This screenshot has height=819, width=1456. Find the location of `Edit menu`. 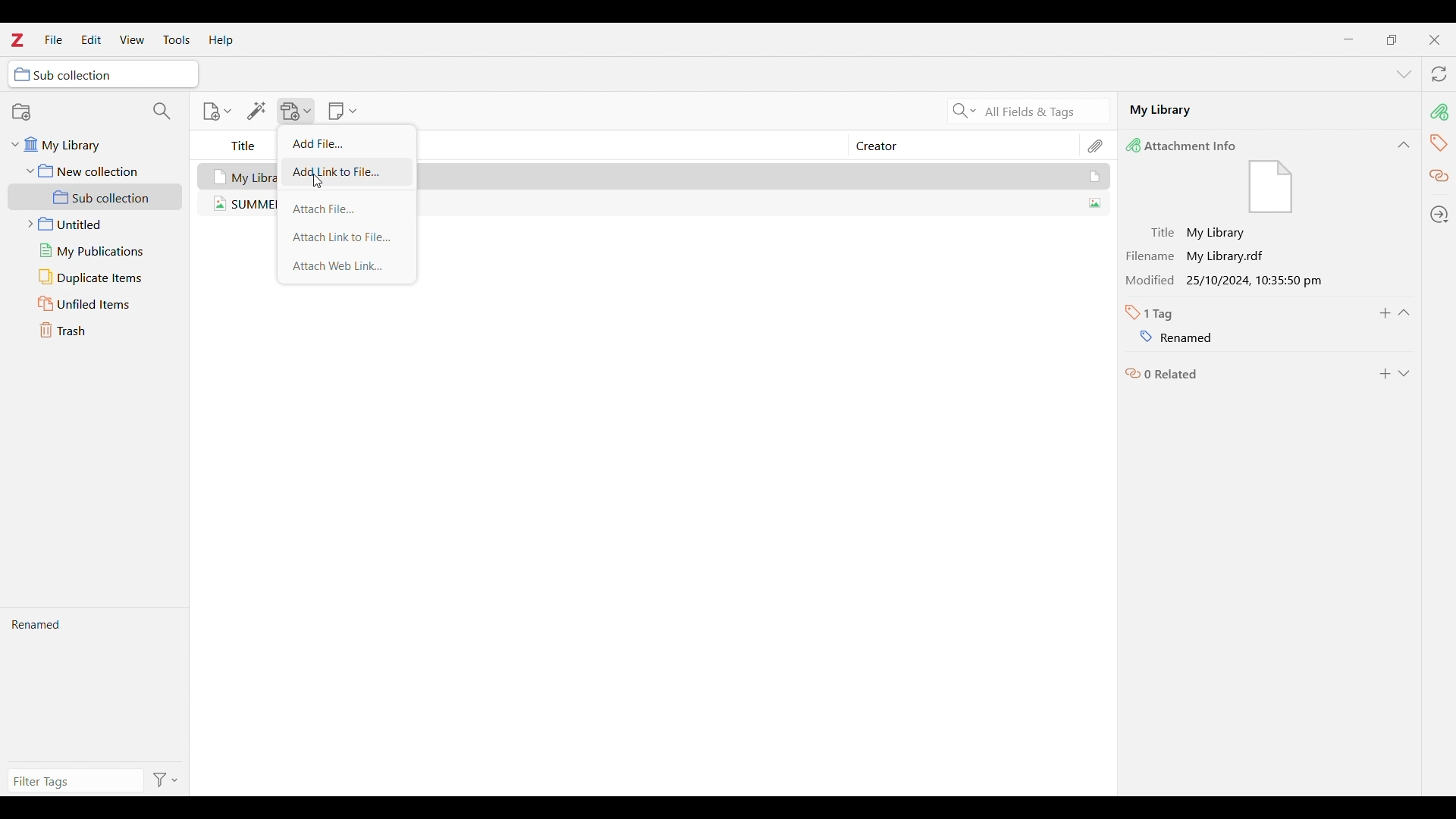

Edit menu is located at coordinates (92, 39).